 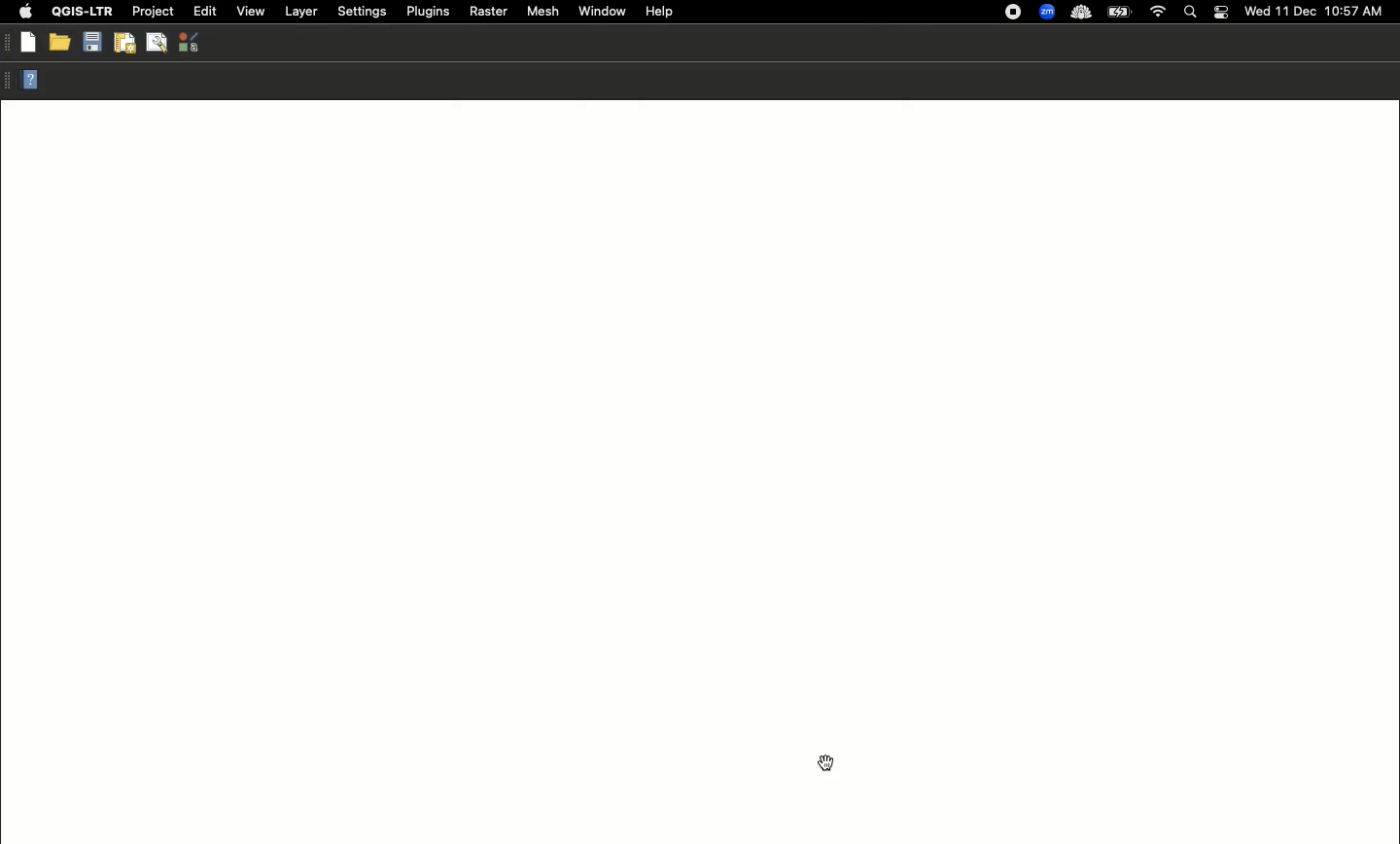 I want to click on Internet, so click(x=1159, y=11).